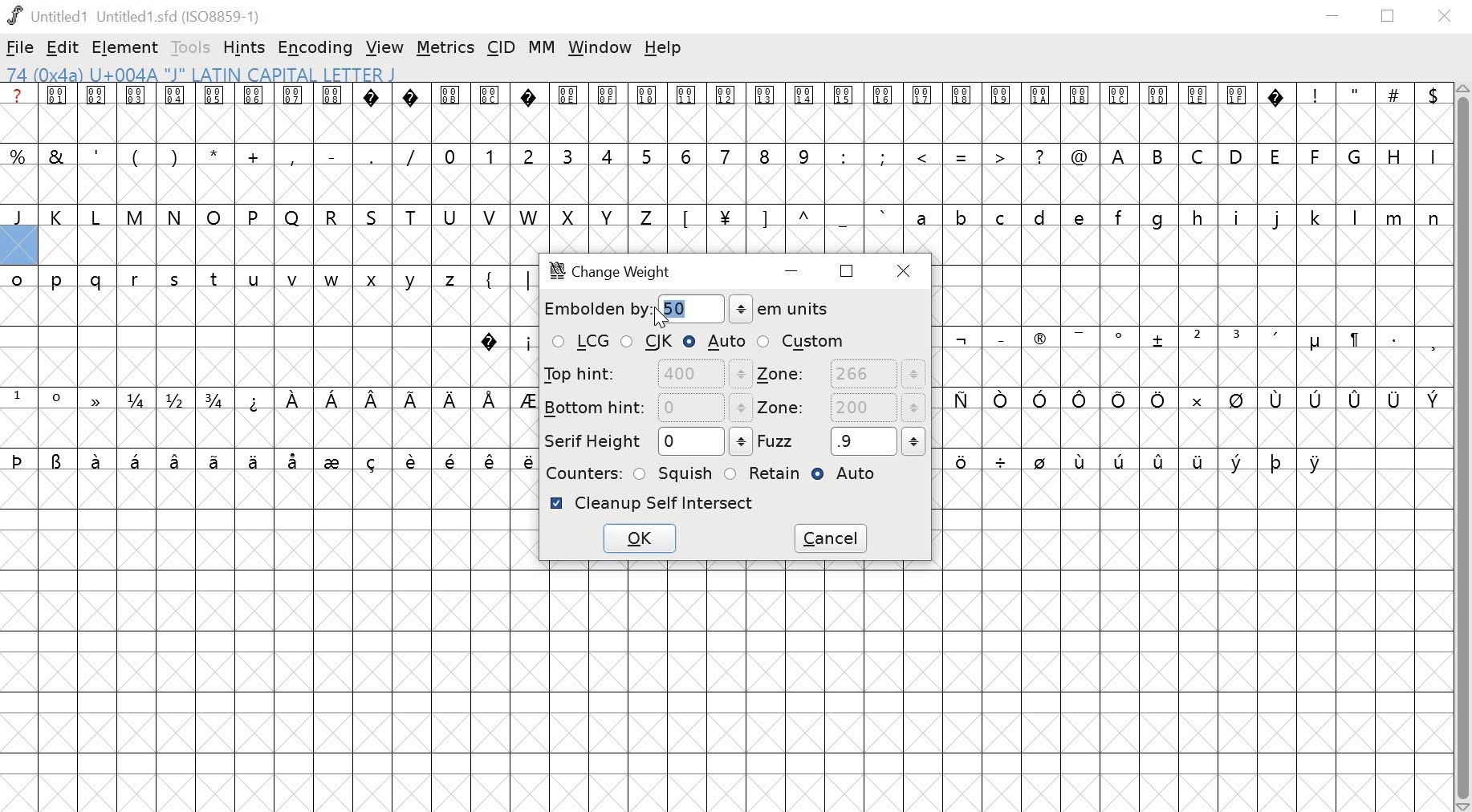  What do you see at coordinates (137, 15) in the screenshot?
I see `Untitled1 (Untitled1.sfd(ISO8859-1)` at bounding box center [137, 15].